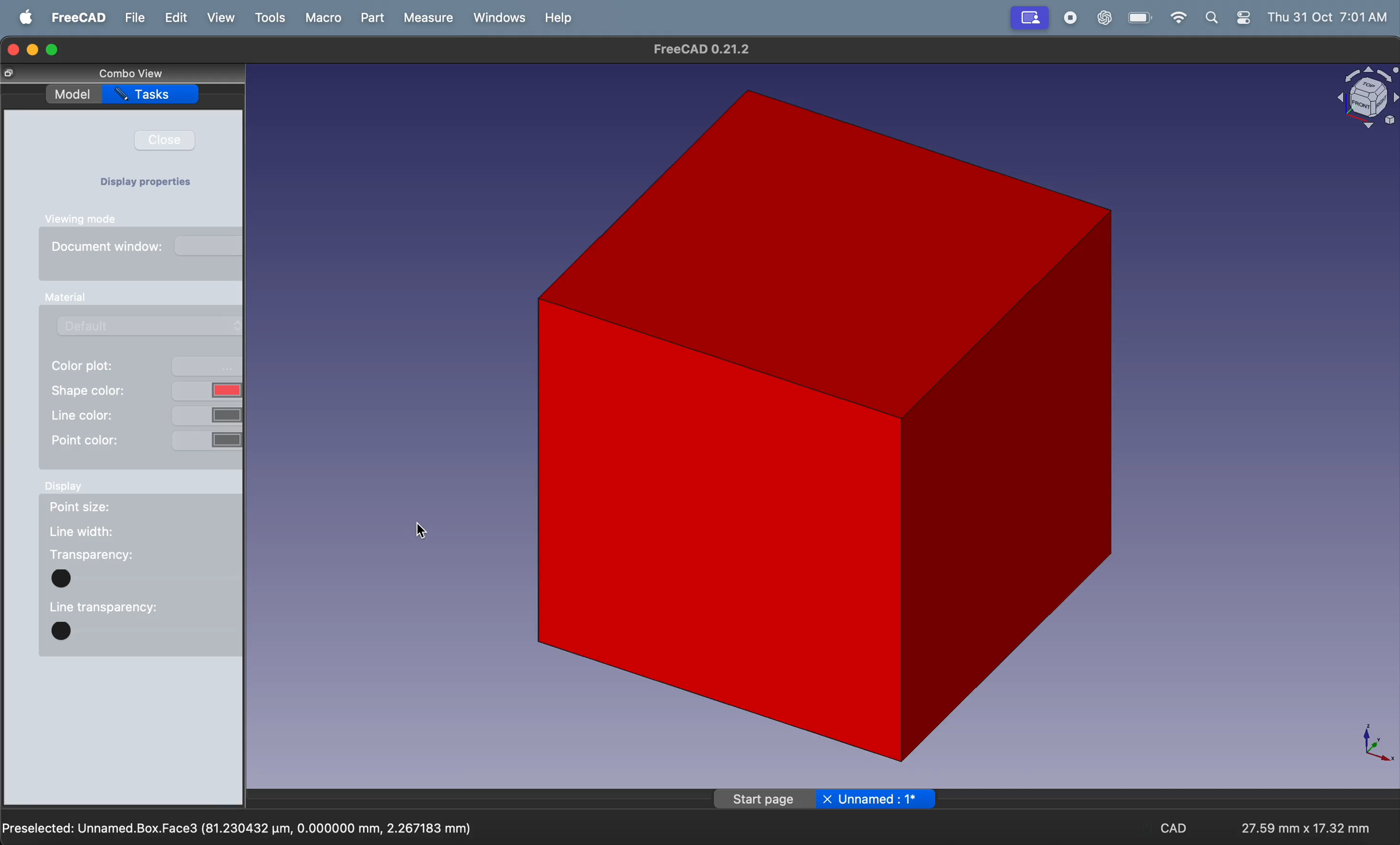 This screenshot has height=845, width=1400. Describe the element at coordinates (145, 414) in the screenshot. I see `line color` at that location.